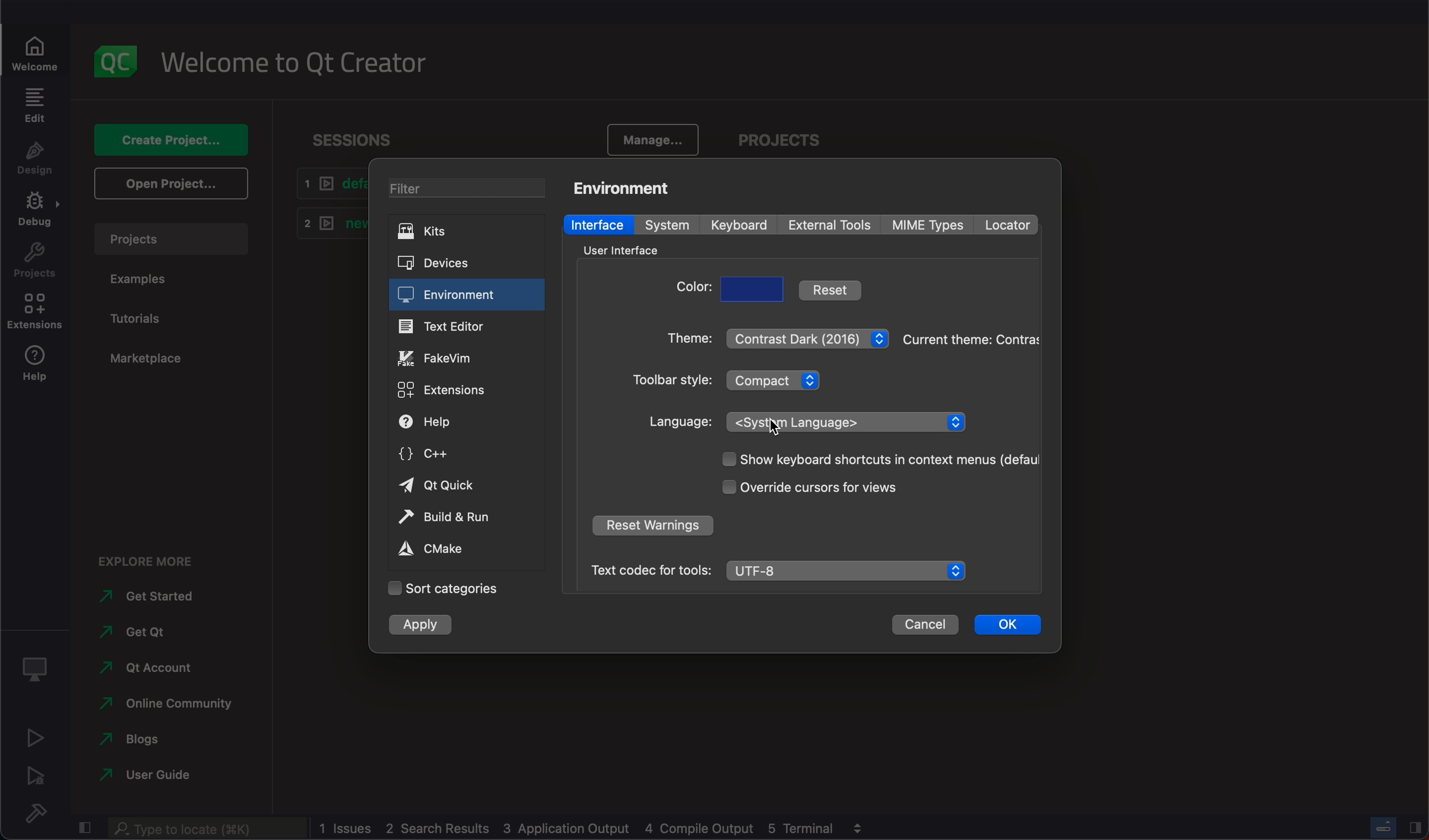 The height and width of the screenshot is (840, 1429). I want to click on extensions, so click(35, 313).